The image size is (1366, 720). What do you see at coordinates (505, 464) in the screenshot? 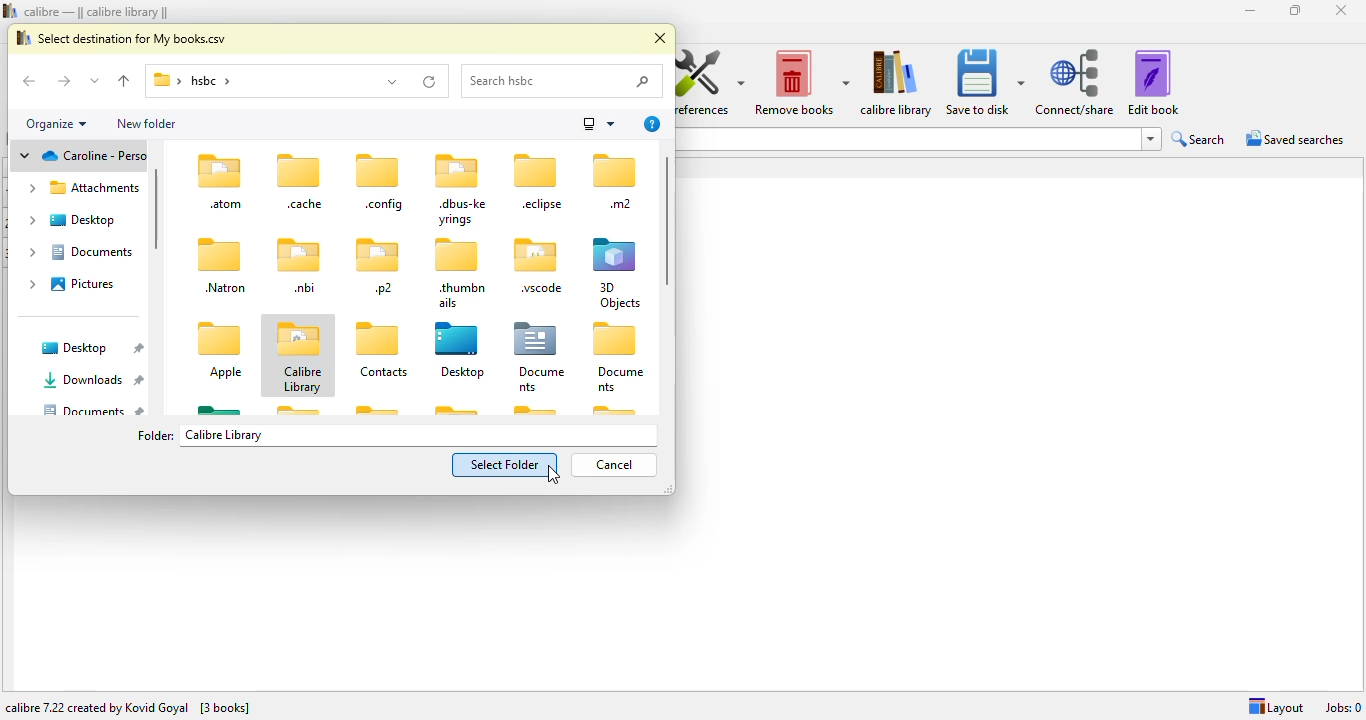
I see `select folder` at bounding box center [505, 464].